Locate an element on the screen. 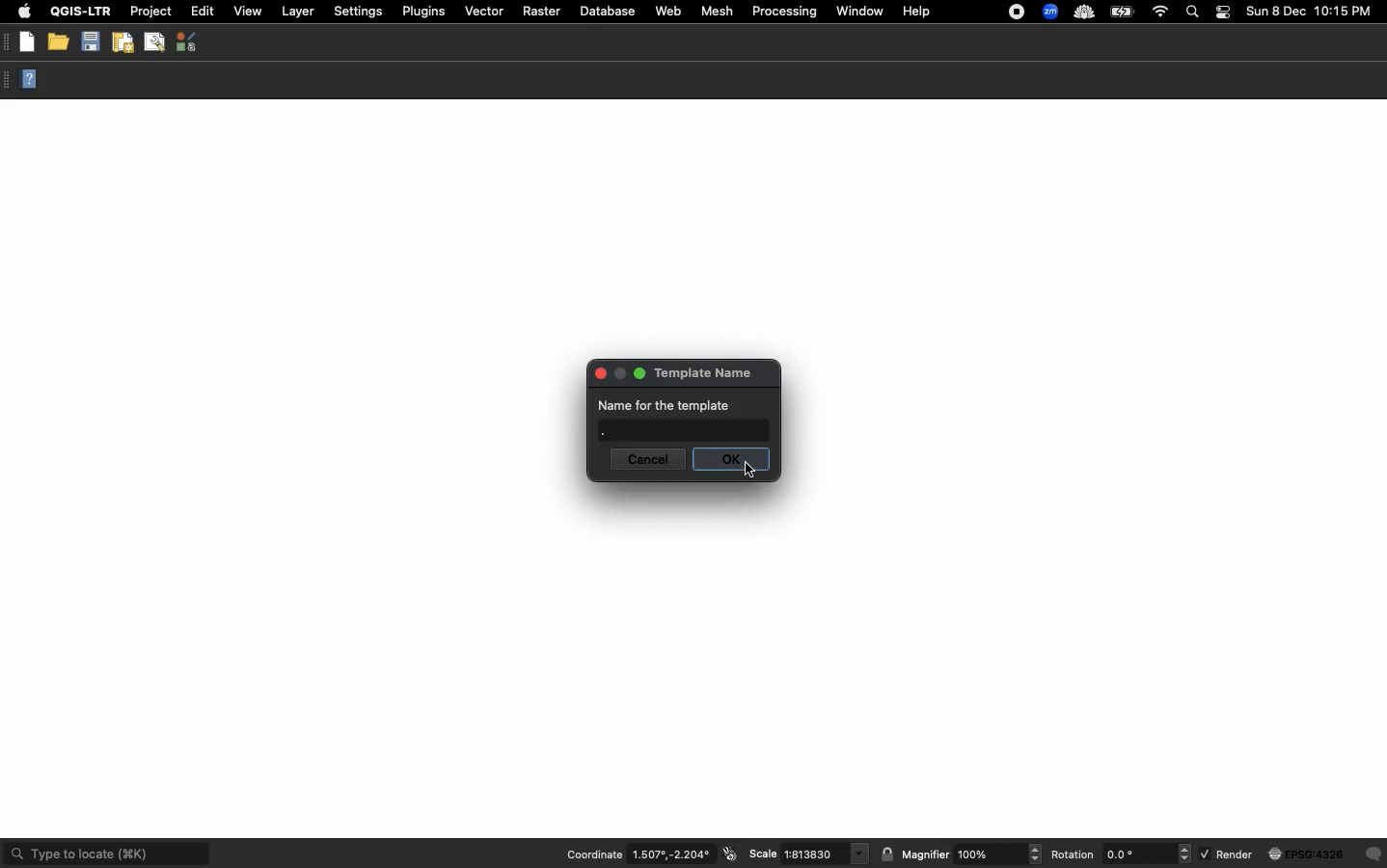 This screenshot has width=1387, height=868. coordinates is located at coordinates (670, 855).